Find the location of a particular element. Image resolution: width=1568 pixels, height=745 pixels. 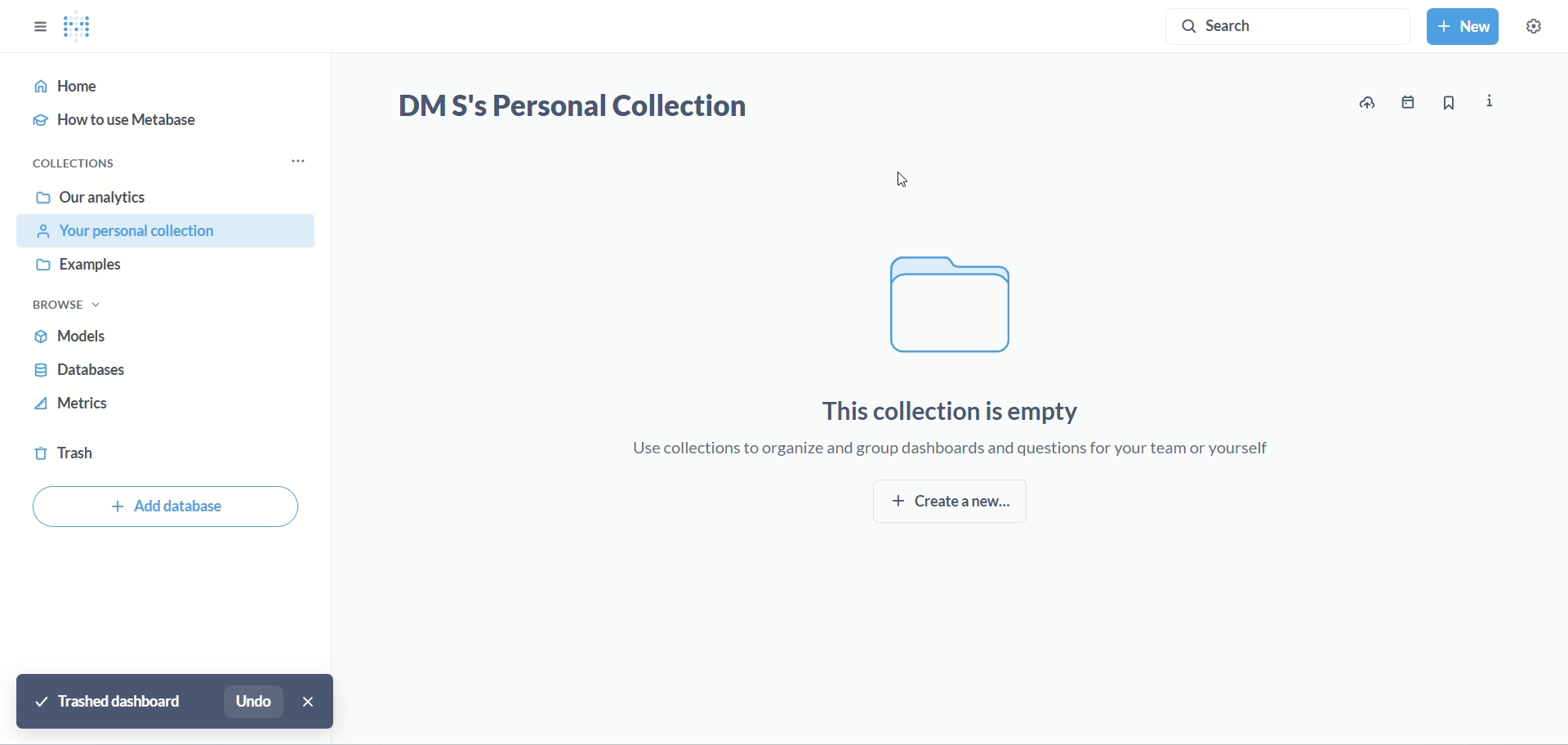

add database is located at coordinates (168, 509).